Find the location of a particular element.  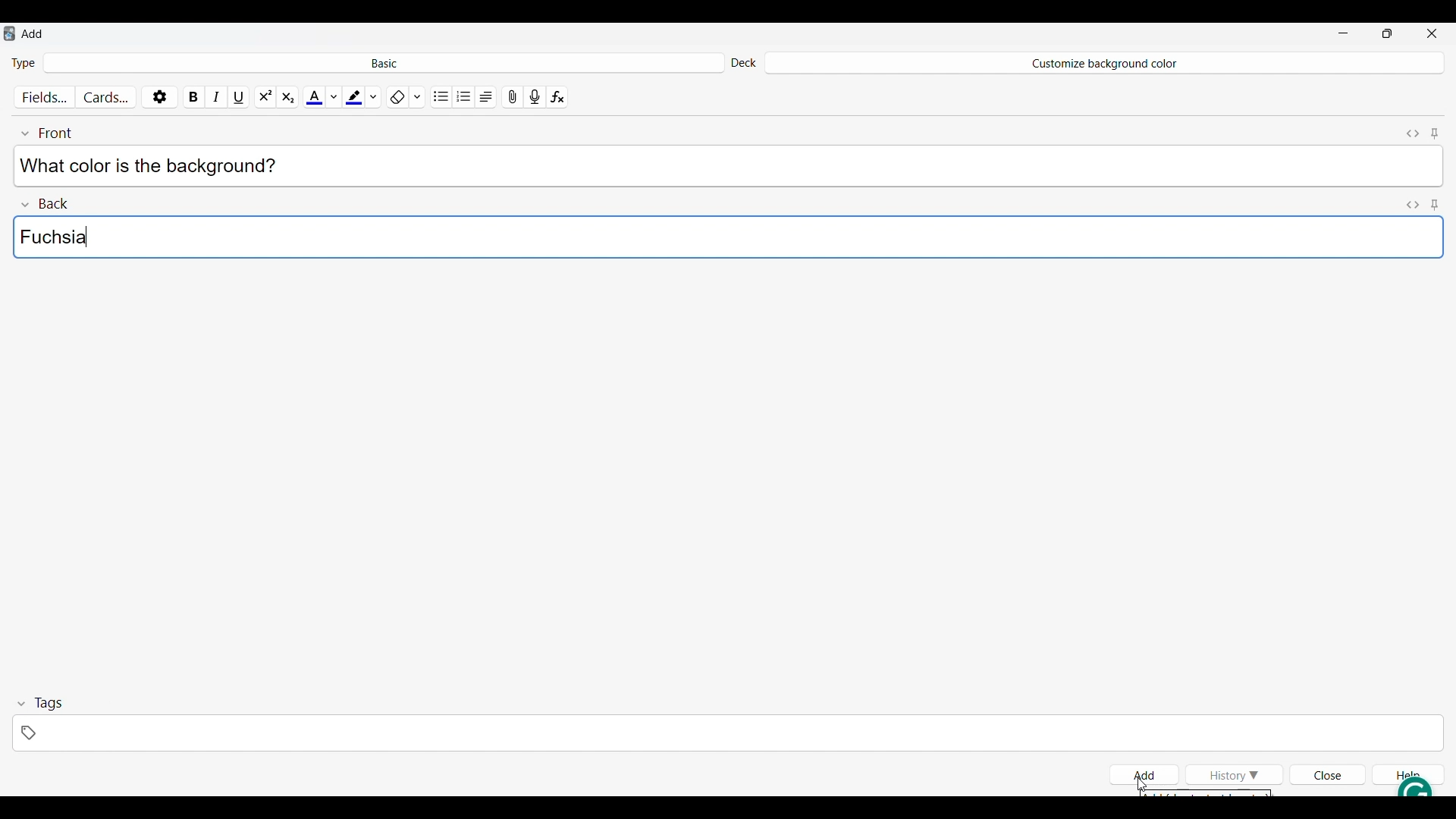

Record audio is located at coordinates (535, 95).